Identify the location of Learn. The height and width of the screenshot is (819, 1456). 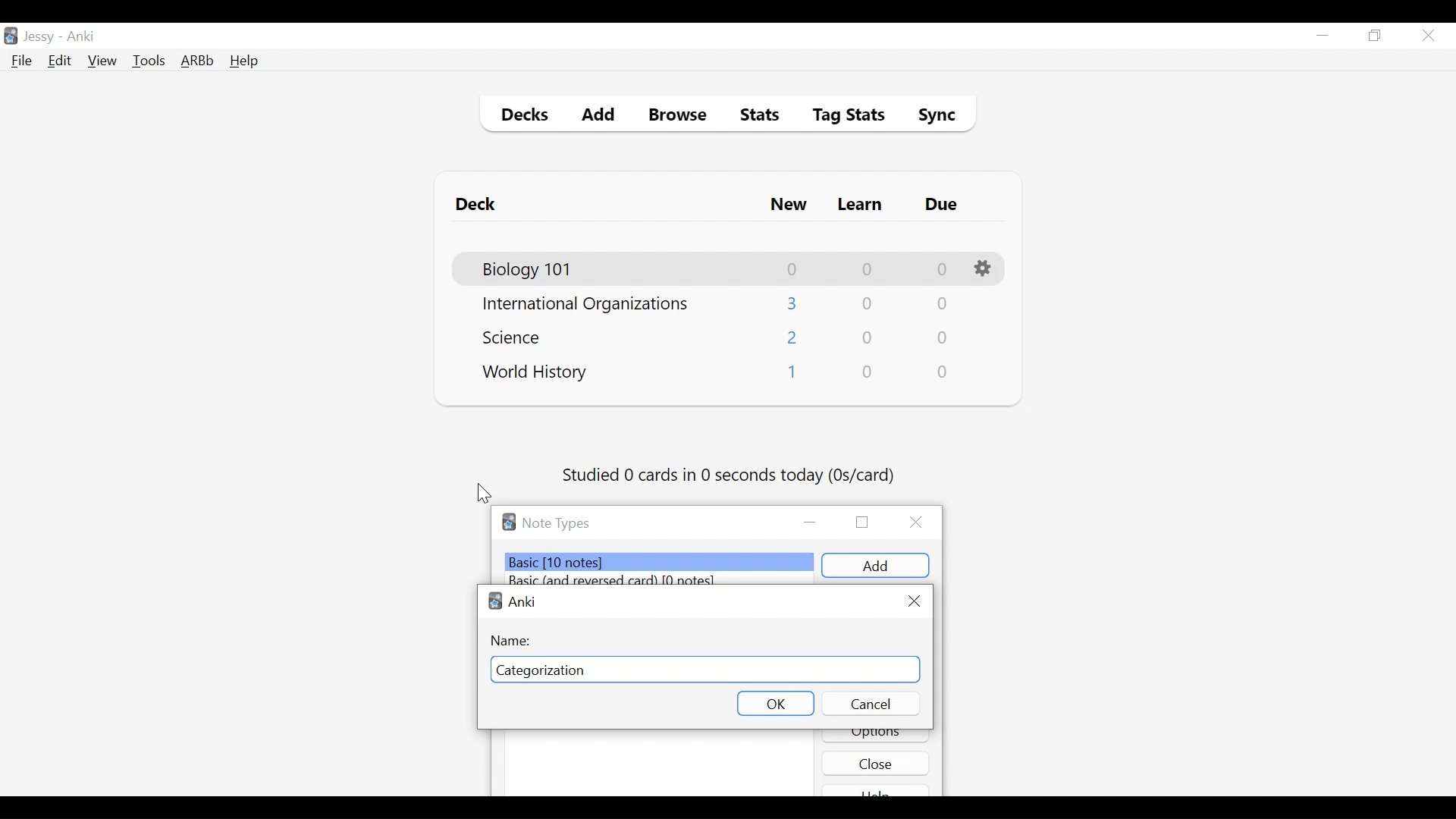
(859, 206).